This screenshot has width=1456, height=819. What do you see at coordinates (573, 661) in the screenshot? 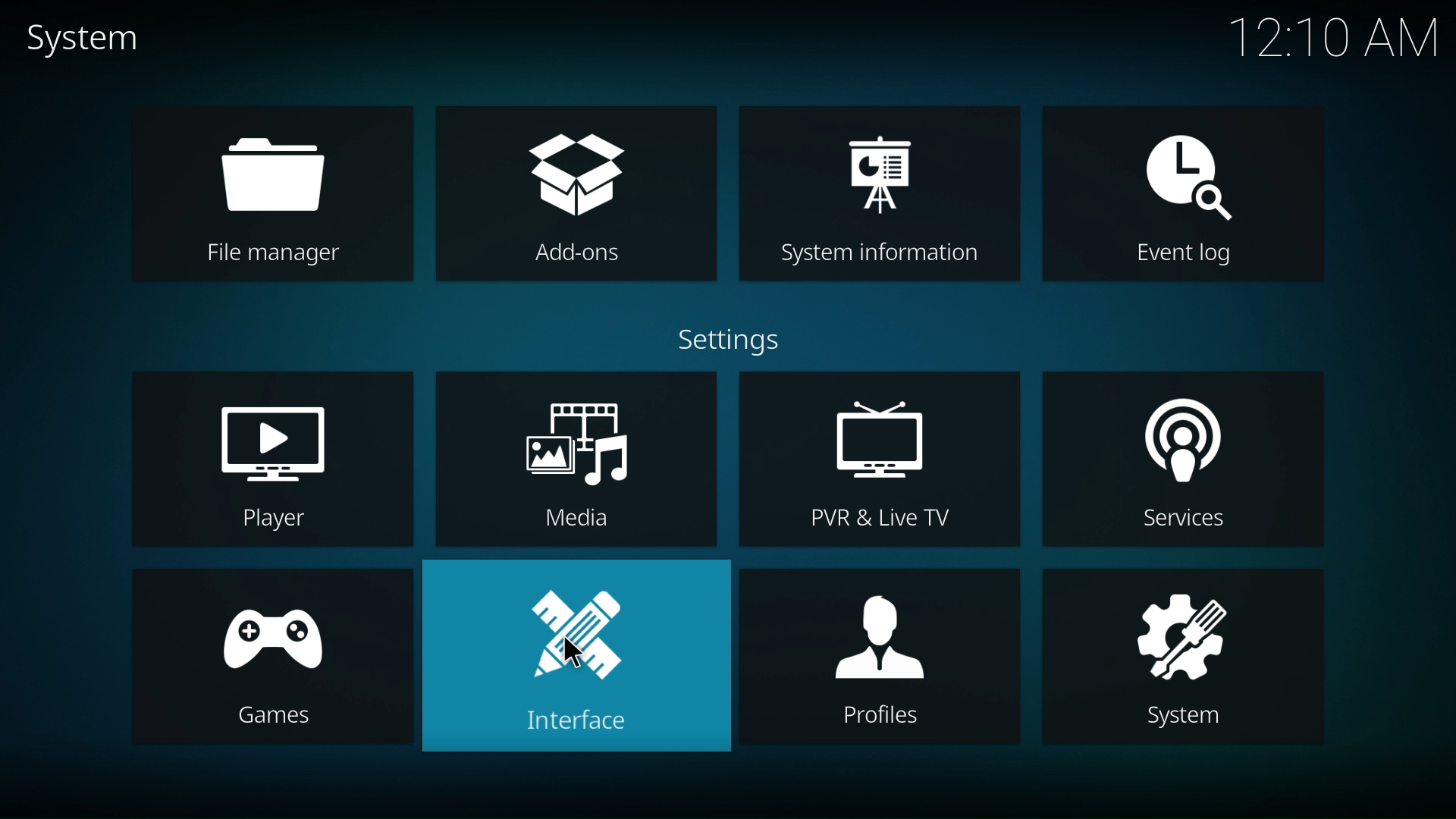
I see `cursor` at bounding box center [573, 661].